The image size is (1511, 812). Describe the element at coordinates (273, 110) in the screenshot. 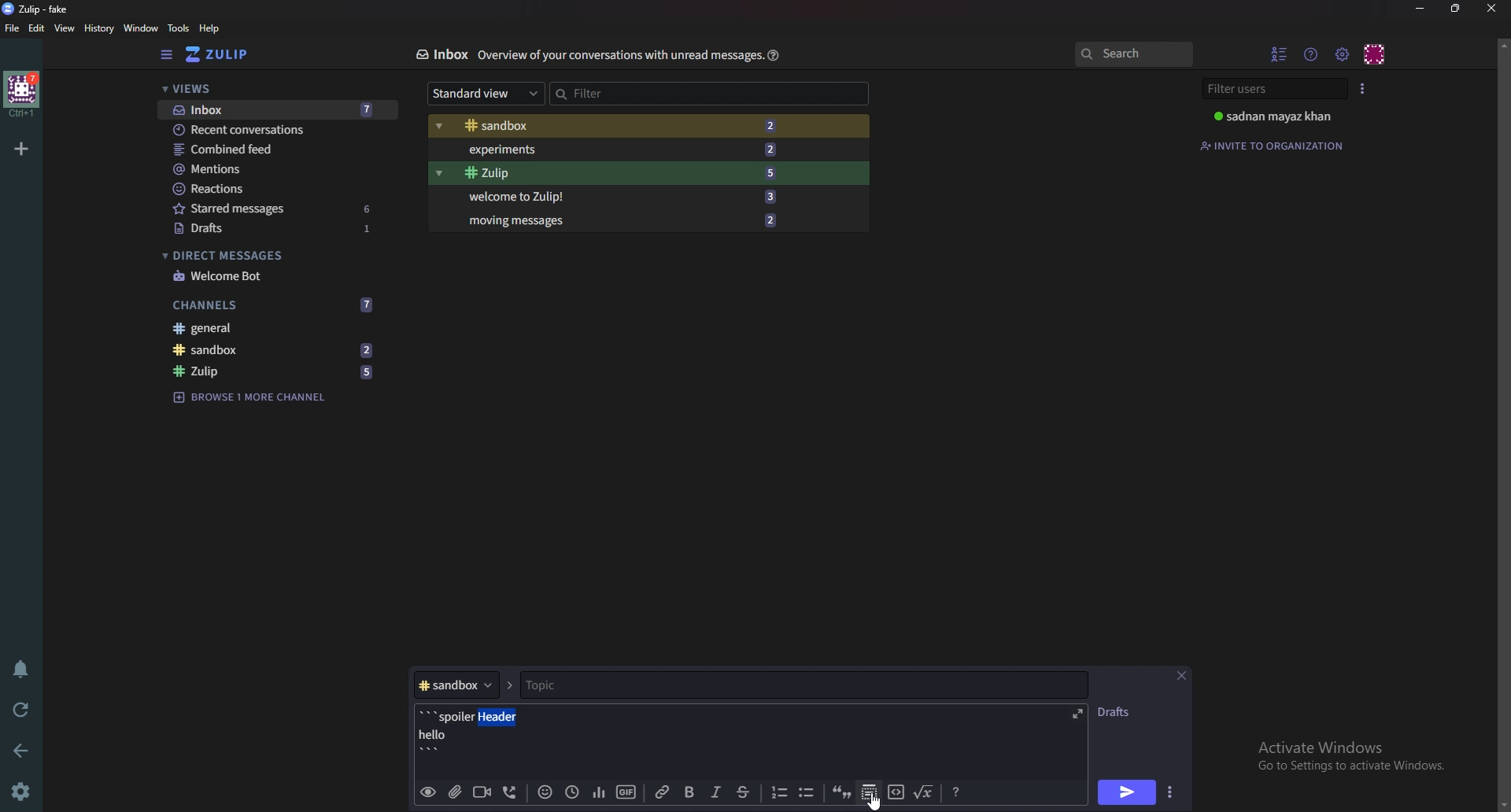

I see `Inbox 7` at that location.